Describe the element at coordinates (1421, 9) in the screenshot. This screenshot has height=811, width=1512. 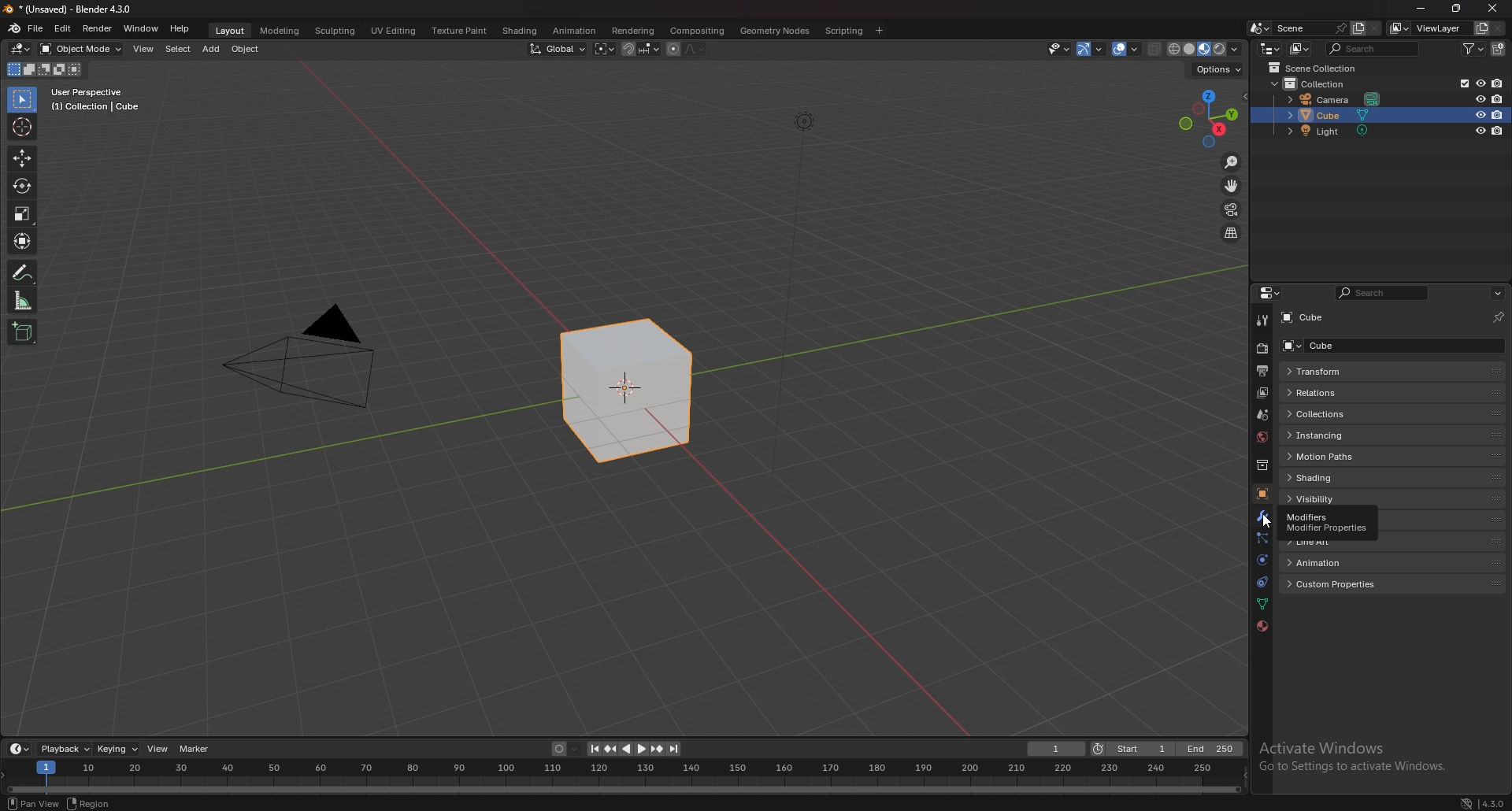
I see `minimize` at that location.